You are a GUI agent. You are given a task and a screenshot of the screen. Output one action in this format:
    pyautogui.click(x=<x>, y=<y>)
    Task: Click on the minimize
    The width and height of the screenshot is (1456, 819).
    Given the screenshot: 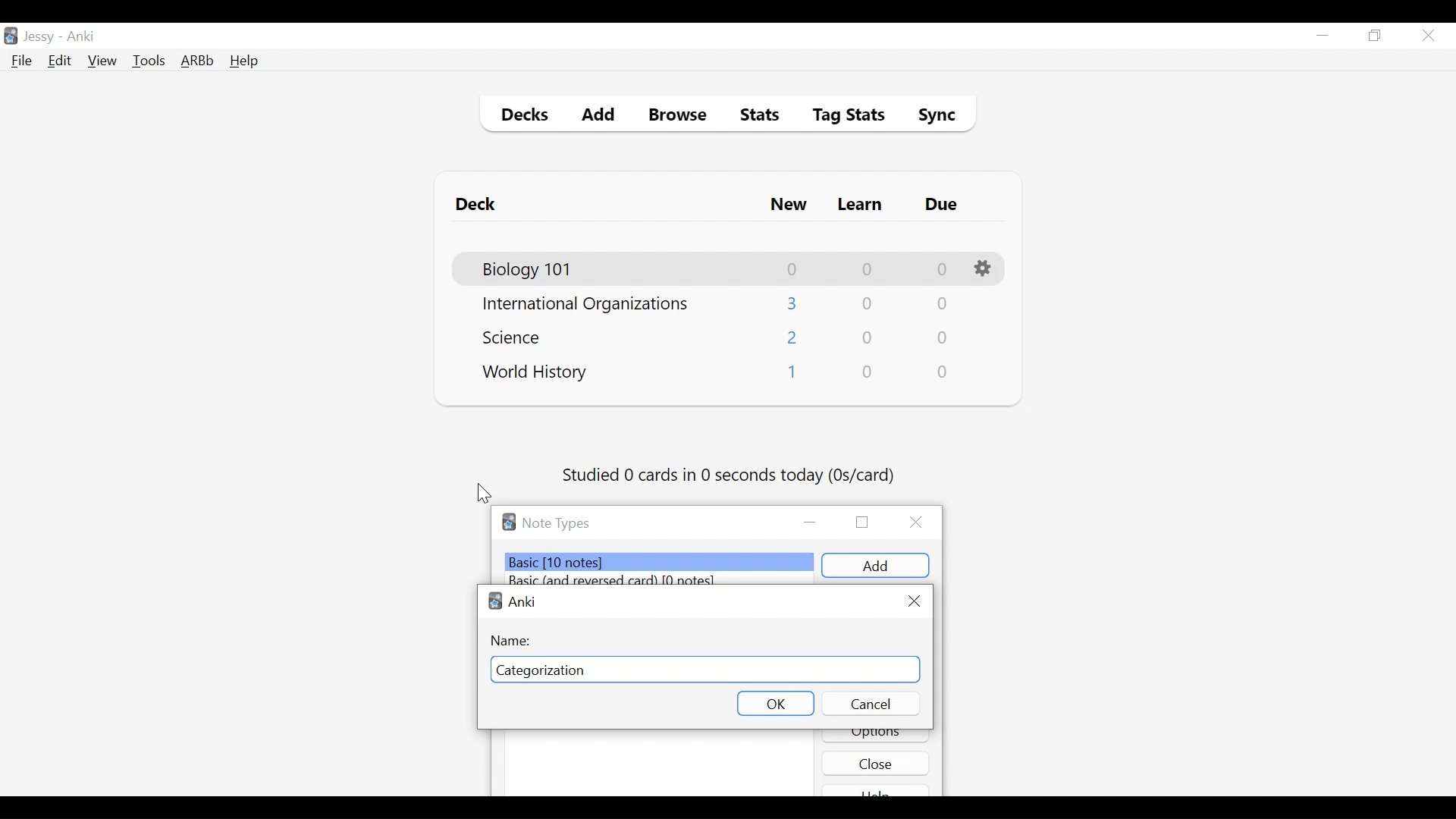 What is the action you would take?
    pyautogui.click(x=811, y=523)
    